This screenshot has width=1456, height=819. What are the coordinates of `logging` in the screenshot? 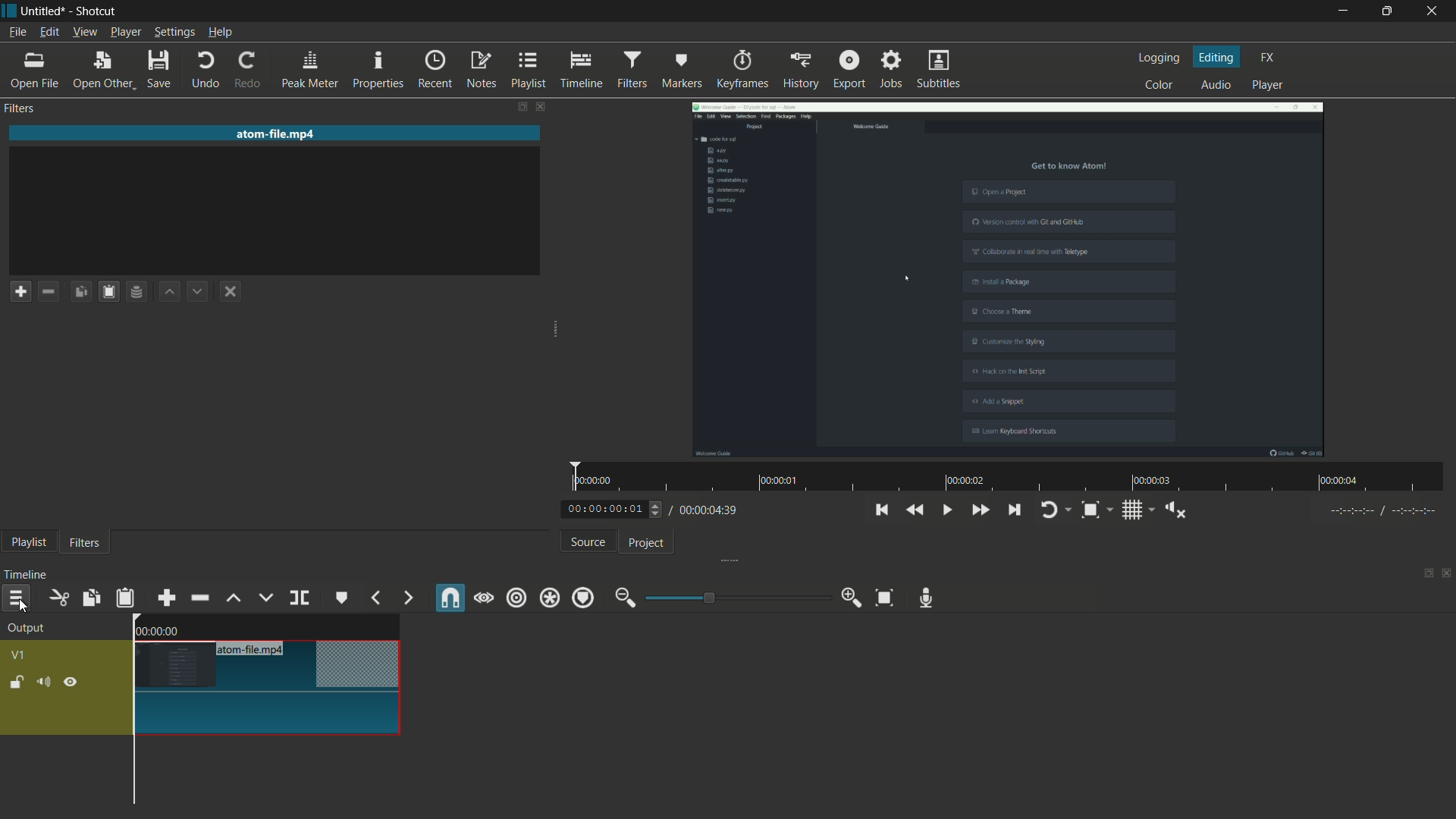 It's located at (1161, 58).